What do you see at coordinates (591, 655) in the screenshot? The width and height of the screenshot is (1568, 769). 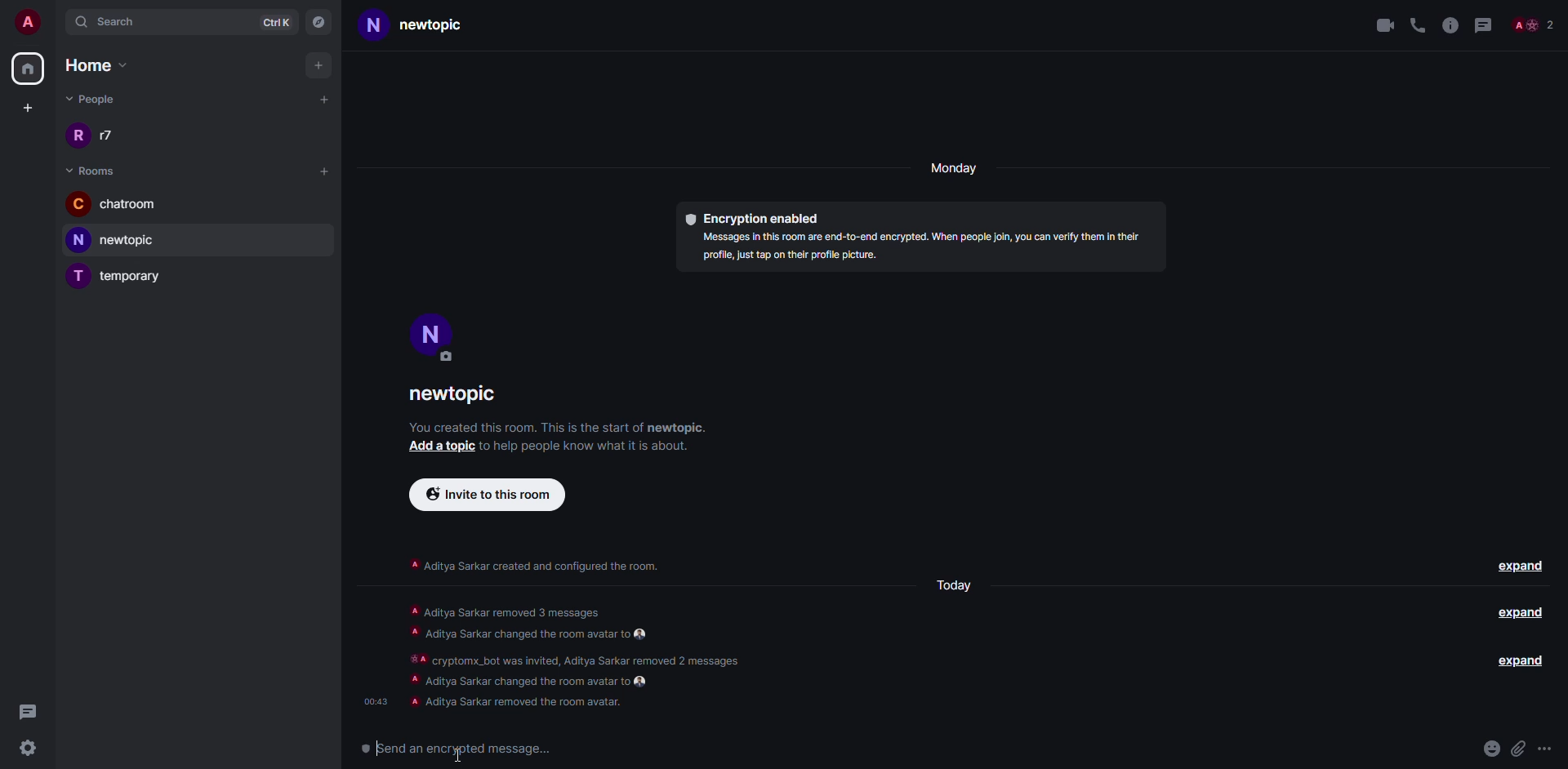 I see `A Aditya Sarkar removed 3 messages.

A Aditya Sarkar changed the room avatar to €%

#A cryptomx_bot was invited, Aditya Sarkar removed 2 messages
A Aditya Sarkar changed the room avatar to €%

A Aditya Sarkar removed the room avatar.` at bounding box center [591, 655].